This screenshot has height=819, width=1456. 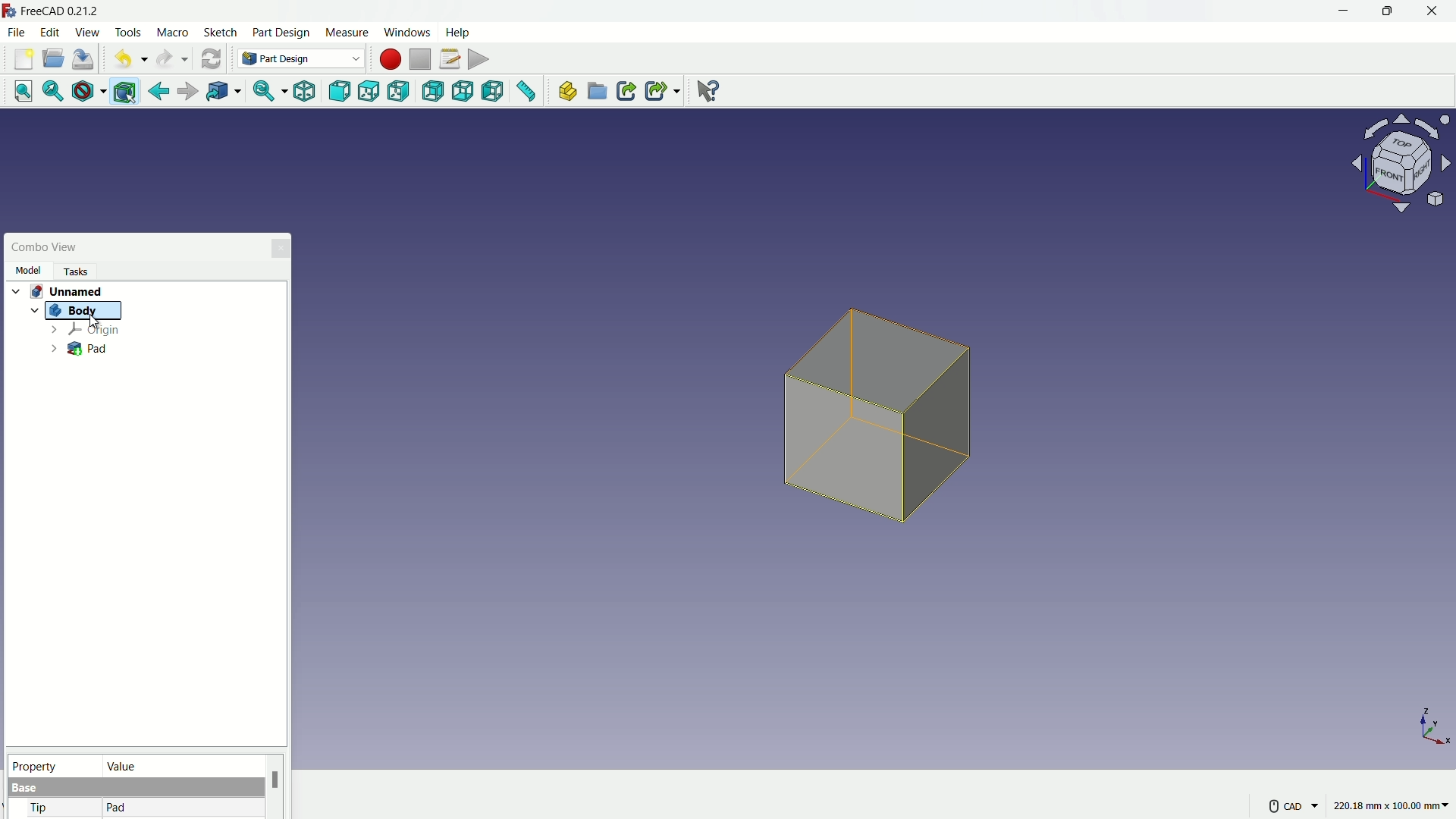 What do you see at coordinates (186, 93) in the screenshot?
I see `forward` at bounding box center [186, 93].